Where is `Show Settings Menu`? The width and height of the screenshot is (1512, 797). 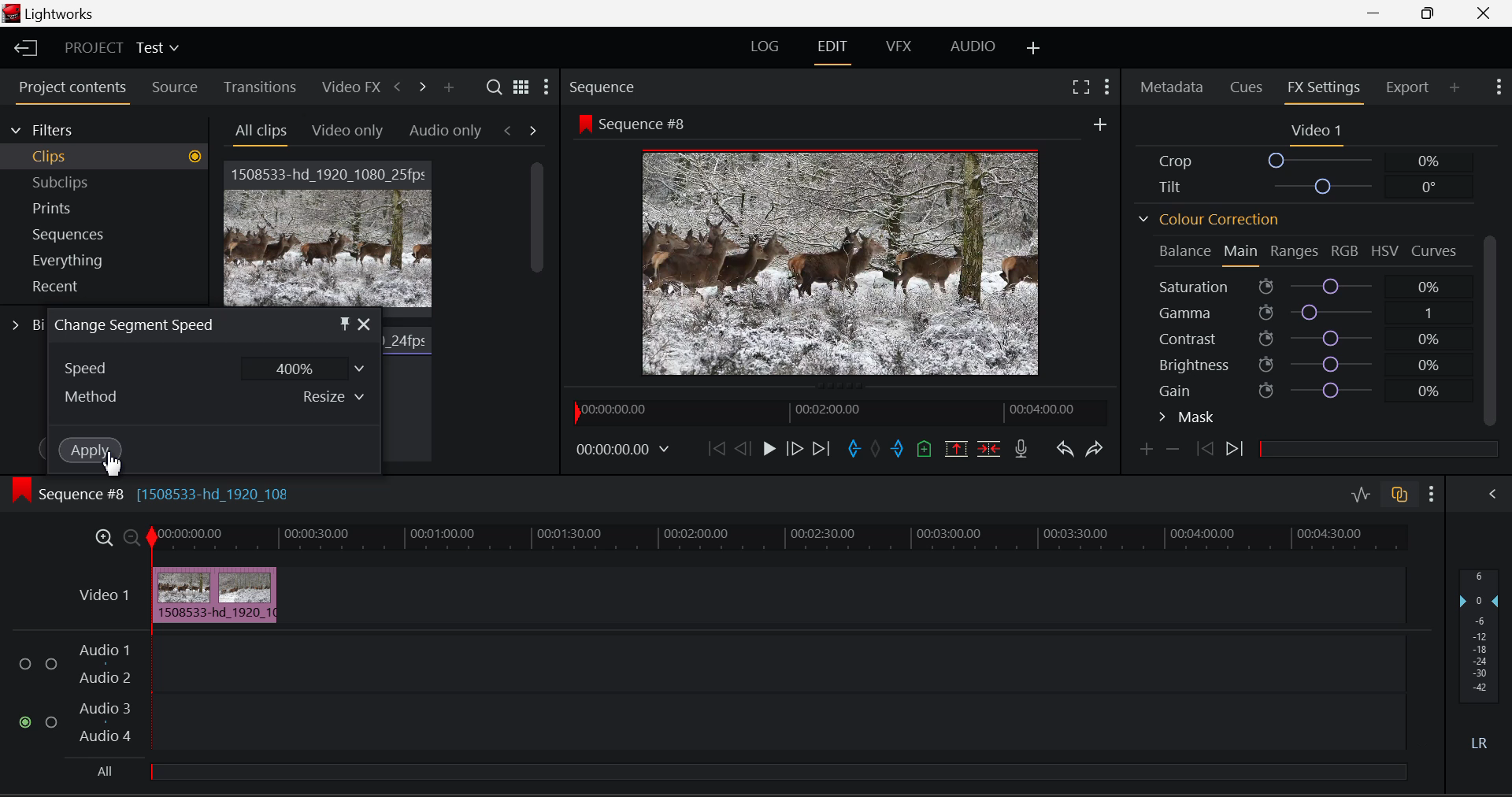
Show Settings Menu is located at coordinates (1110, 90).